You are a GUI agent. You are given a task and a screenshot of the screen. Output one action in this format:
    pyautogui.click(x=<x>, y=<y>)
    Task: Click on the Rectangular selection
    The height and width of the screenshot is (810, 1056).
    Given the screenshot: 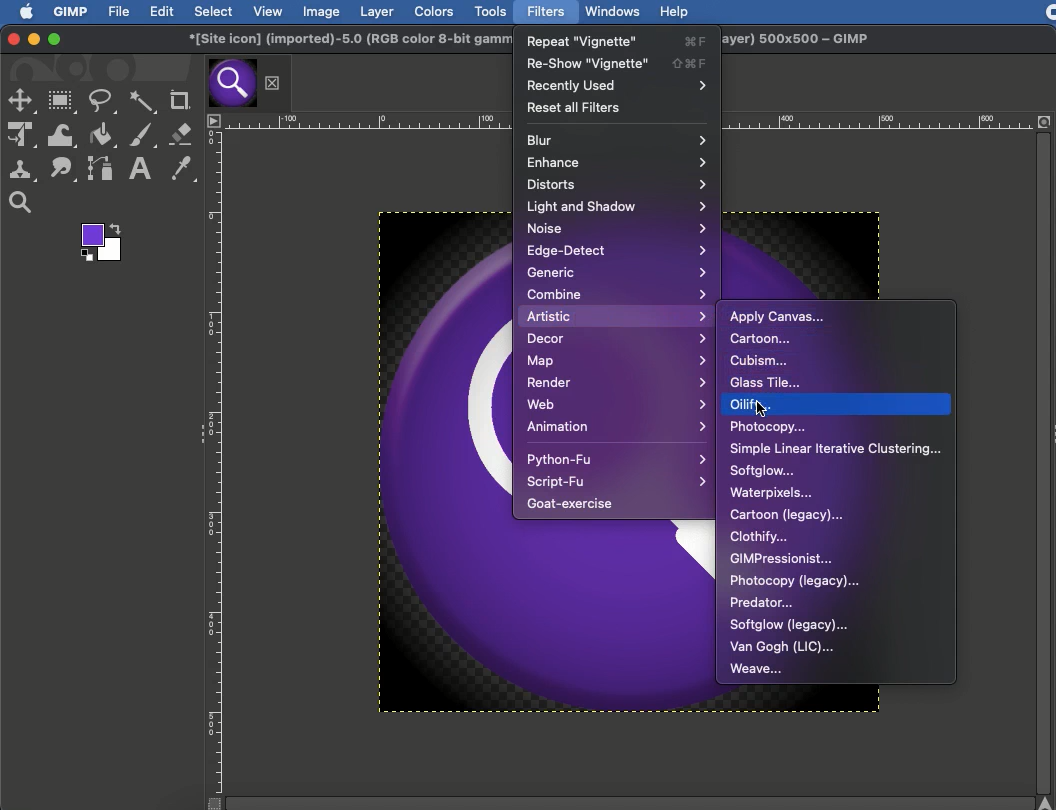 What is the action you would take?
    pyautogui.click(x=62, y=102)
    